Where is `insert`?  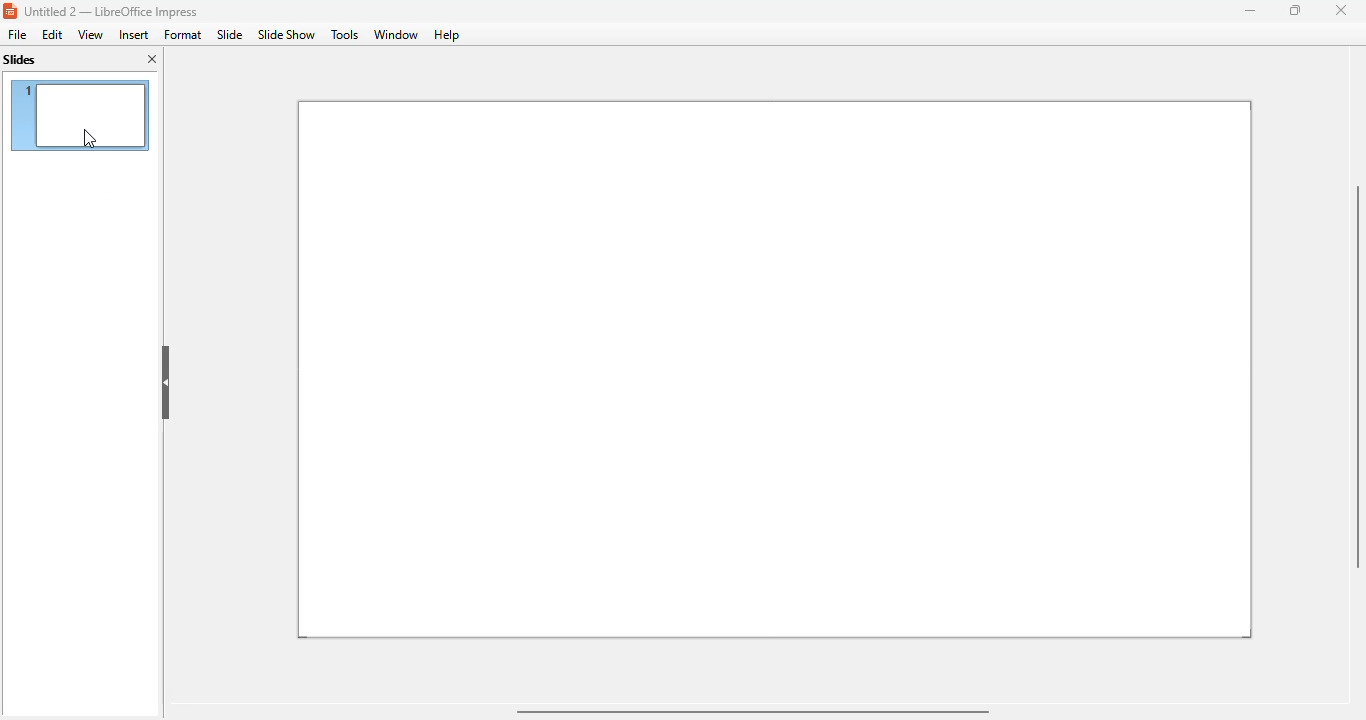 insert is located at coordinates (133, 35).